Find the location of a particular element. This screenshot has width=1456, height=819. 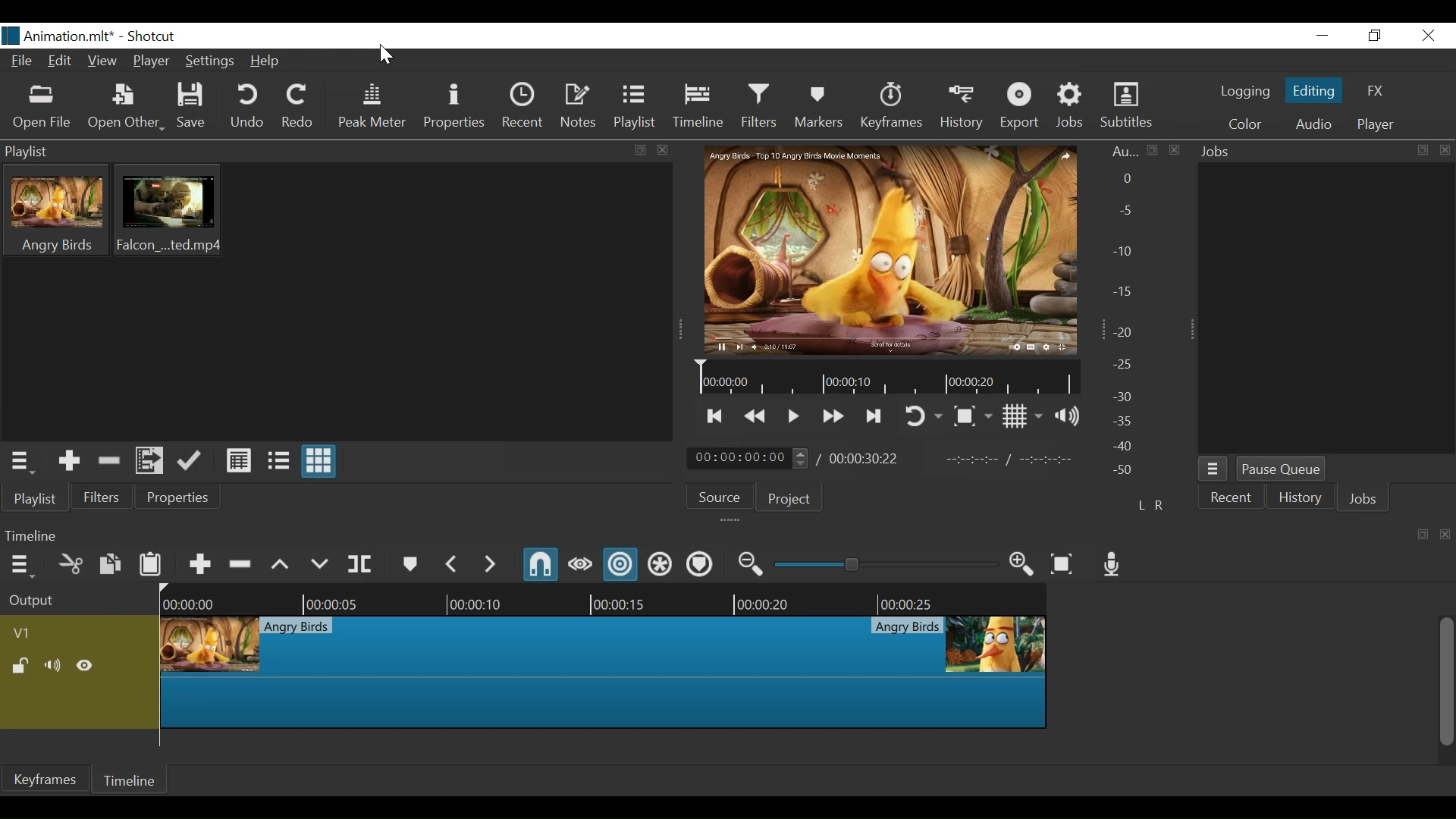

Media Viewer is located at coordinates (890, 249).